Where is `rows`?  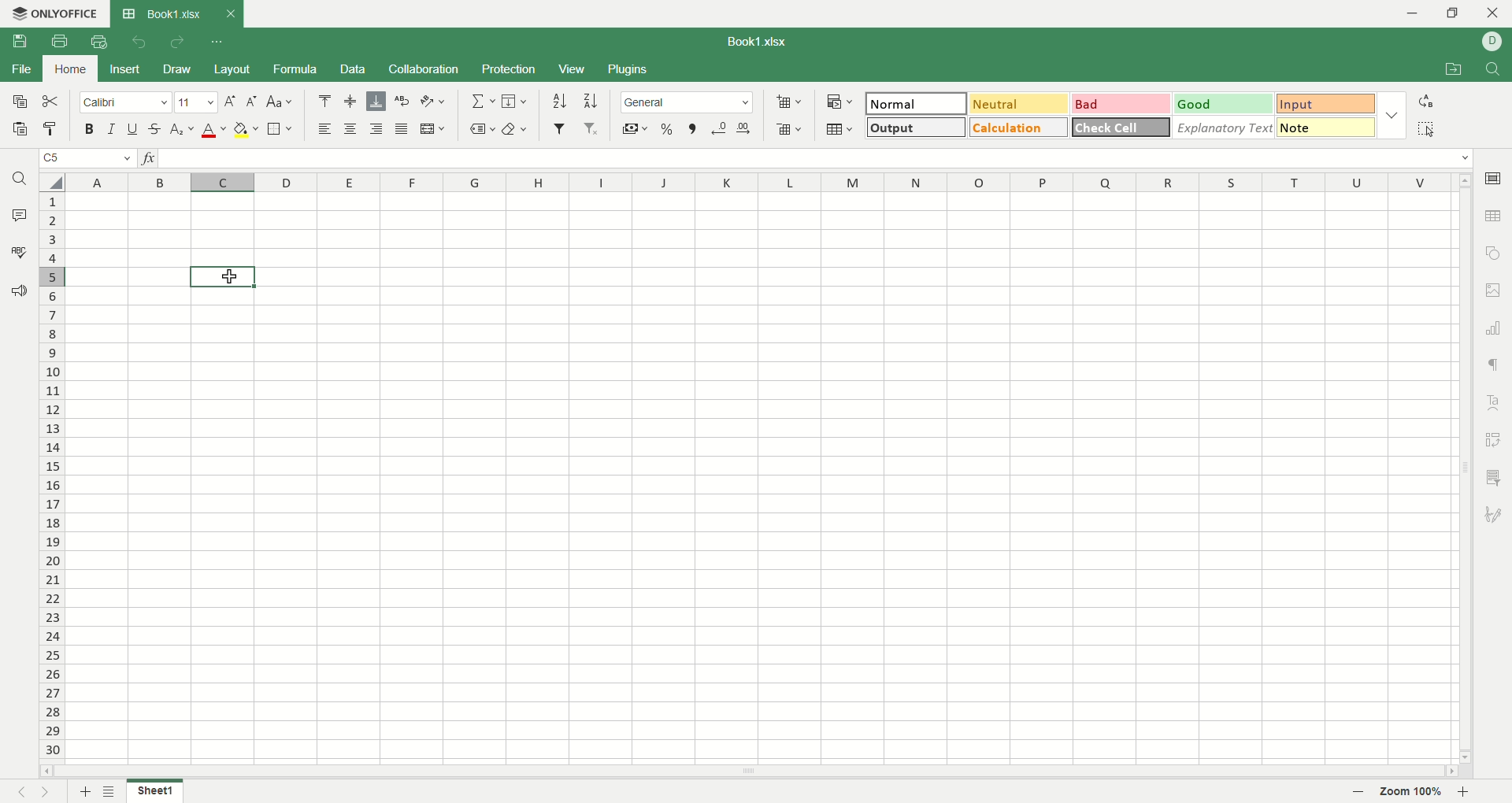
rows is located at coordinates (49, 479).